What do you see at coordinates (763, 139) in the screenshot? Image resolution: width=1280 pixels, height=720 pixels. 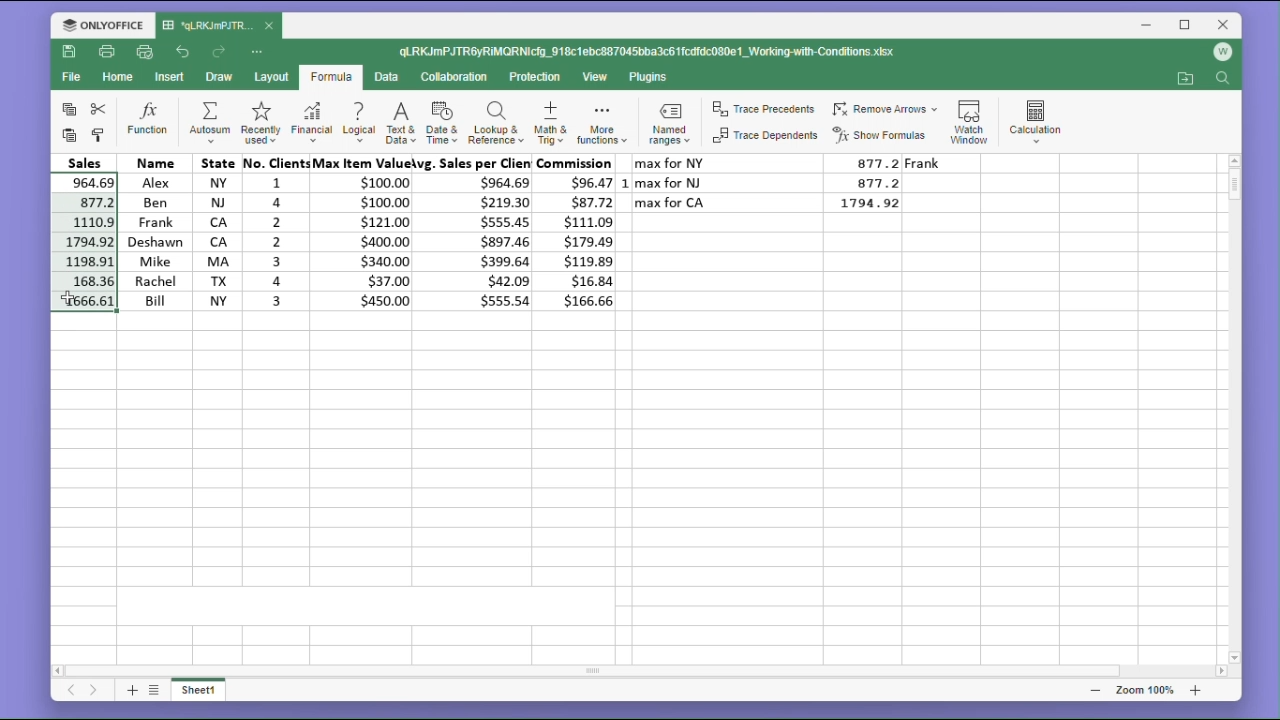 I see `trace dependents` at bounding box center [763, 139].